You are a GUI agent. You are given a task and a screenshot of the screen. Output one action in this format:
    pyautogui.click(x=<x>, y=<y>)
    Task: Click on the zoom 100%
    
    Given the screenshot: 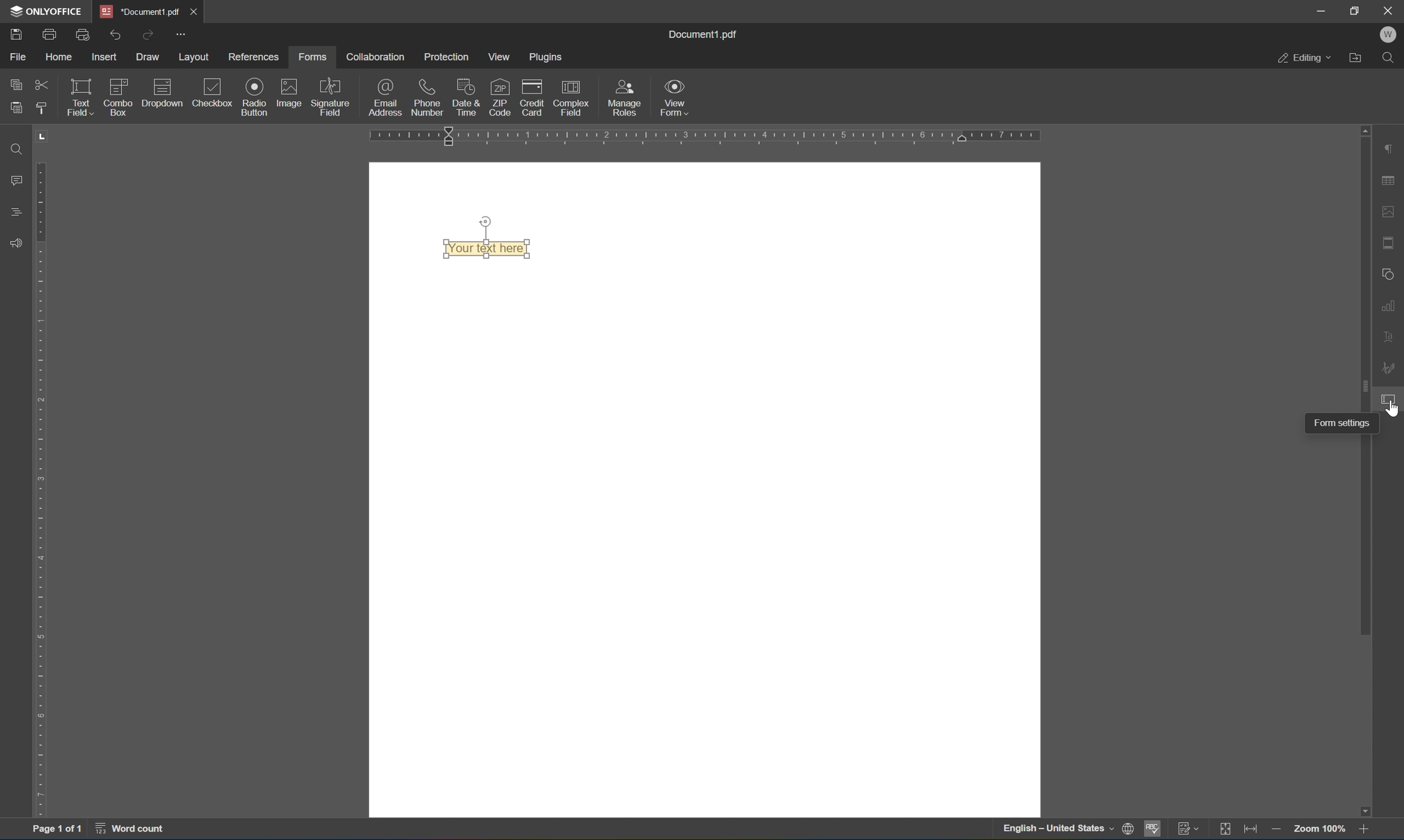 What is the action you would take?
    pyautogui.click(x=1319, y=830)
    